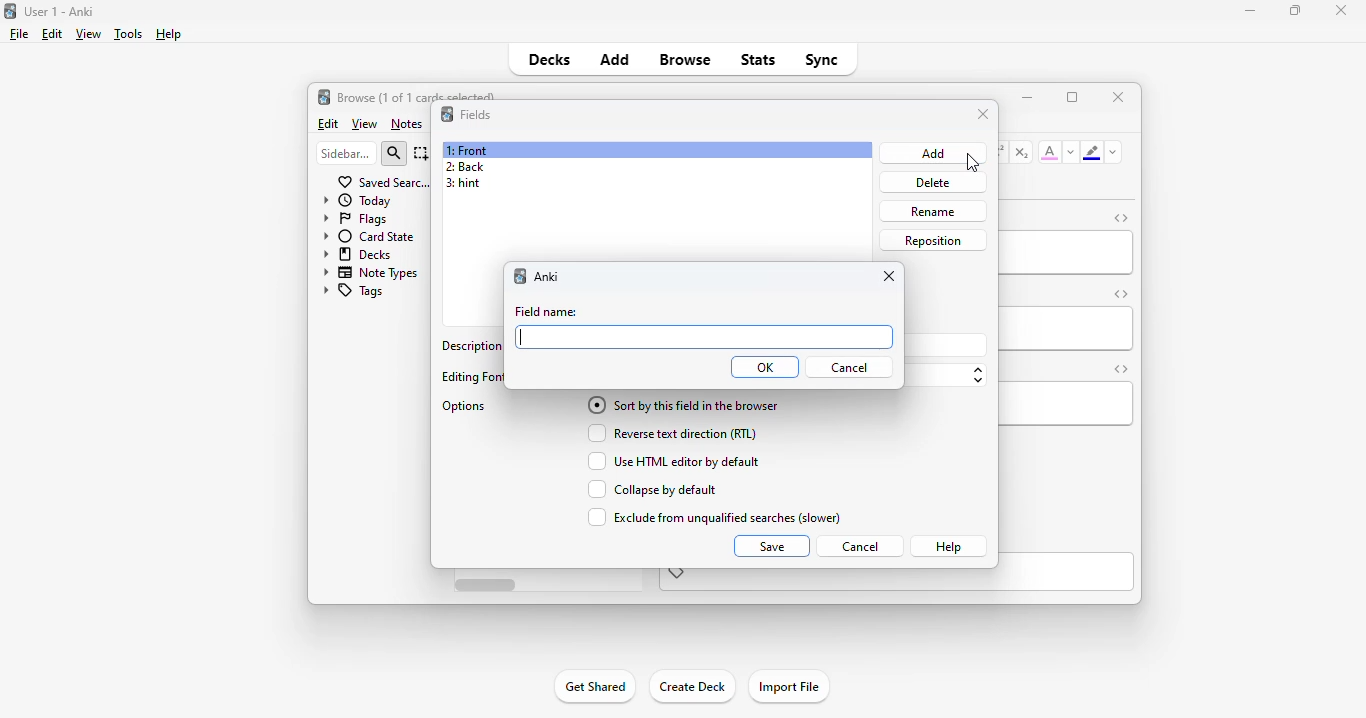  Describe the element at coordinates (967, 165) in the screenshot. I see `cursor` at that location.